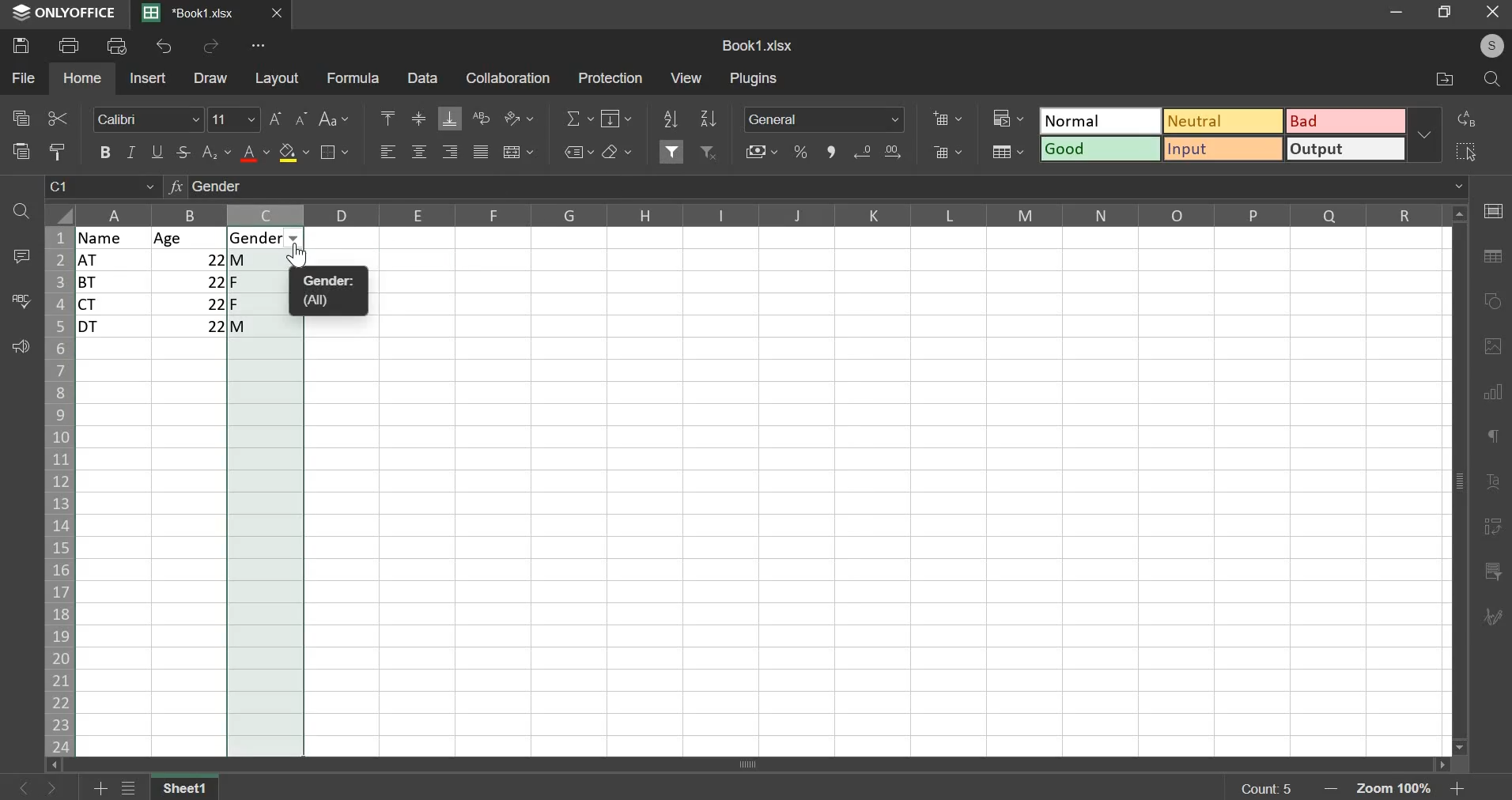 This screenshot has width=1512, height=800. Describe the element at coordinates (265, 304) in the screenshot. I see `f` at that location.